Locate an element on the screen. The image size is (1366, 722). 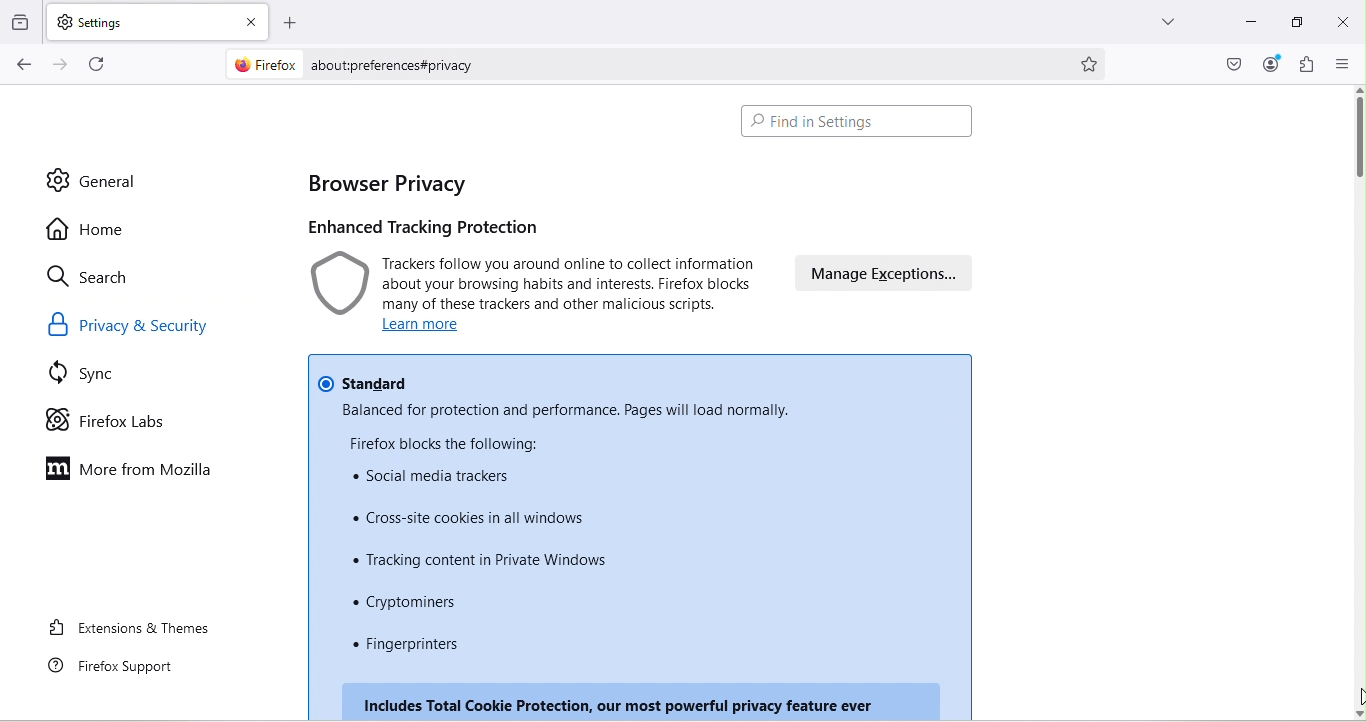
Includes Total Cookie Protection, our most powerful privacy feature ever is located at coordinates (632, 700).